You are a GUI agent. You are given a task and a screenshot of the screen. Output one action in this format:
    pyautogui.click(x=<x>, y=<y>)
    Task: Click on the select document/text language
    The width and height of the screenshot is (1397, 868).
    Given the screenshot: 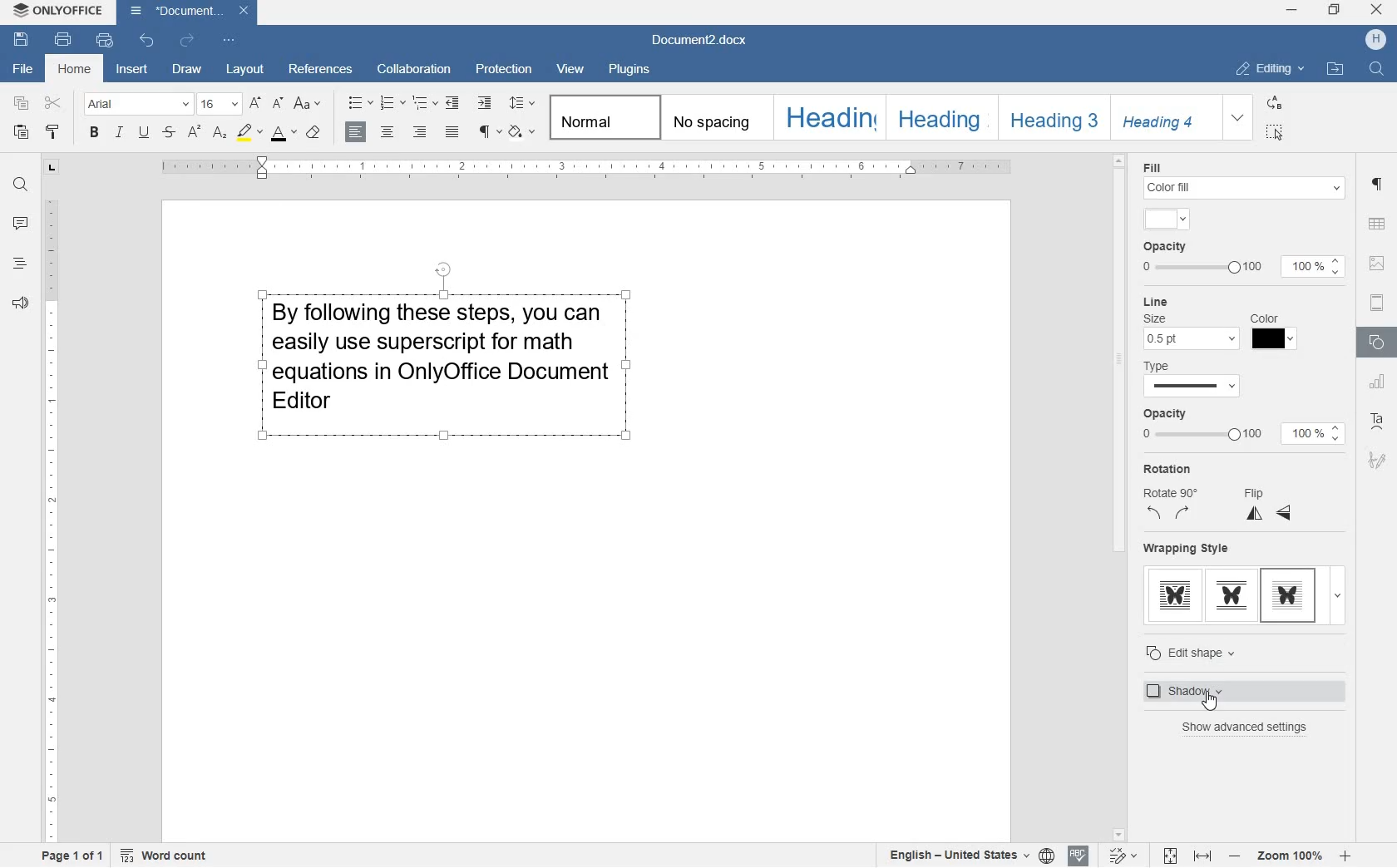 What is the action you would take?
    pyautogui.click(x=968, y=856)
    